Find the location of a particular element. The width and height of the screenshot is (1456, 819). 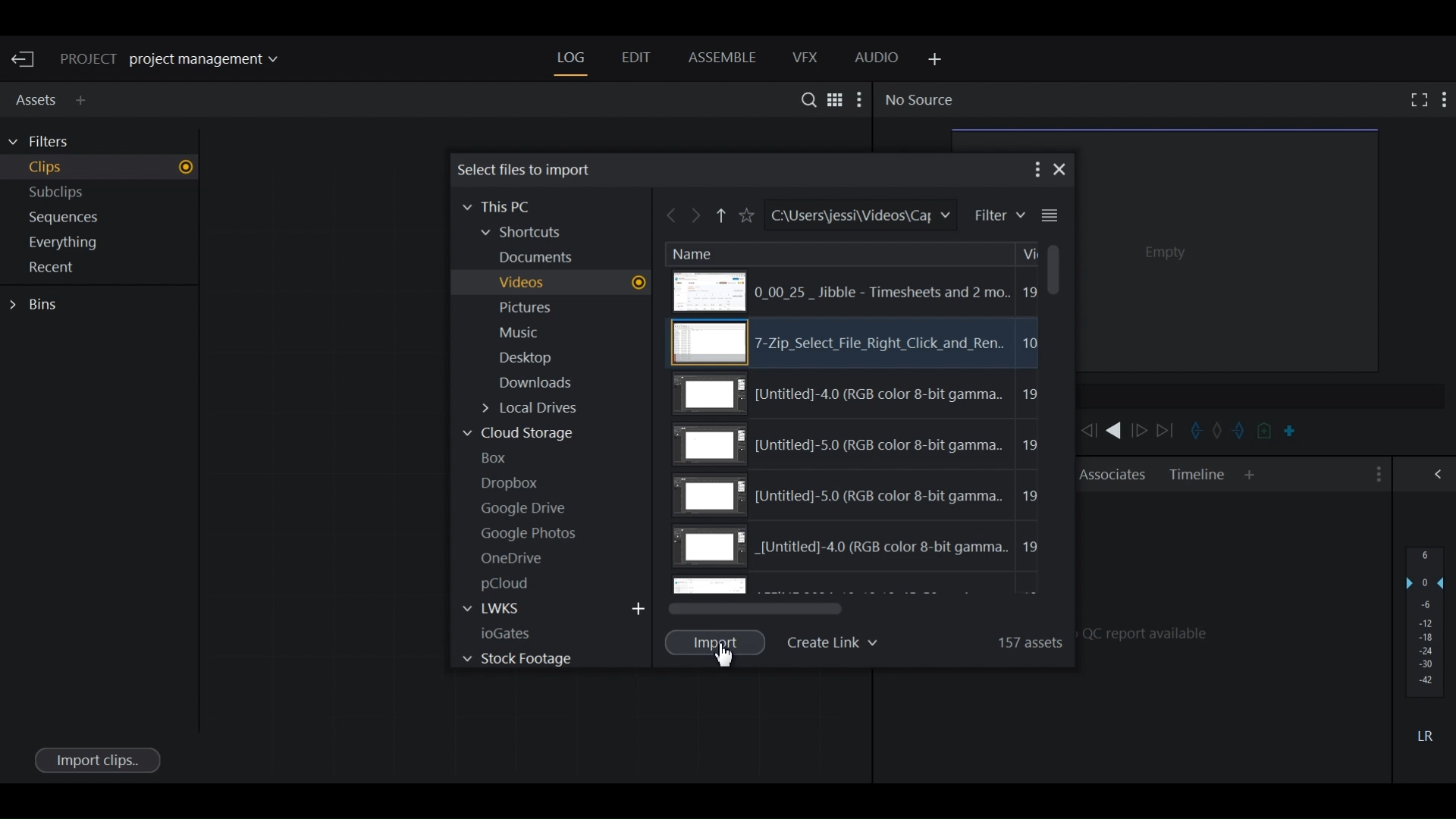

Click to go to the parent folder is located at coordinates (722, 218).